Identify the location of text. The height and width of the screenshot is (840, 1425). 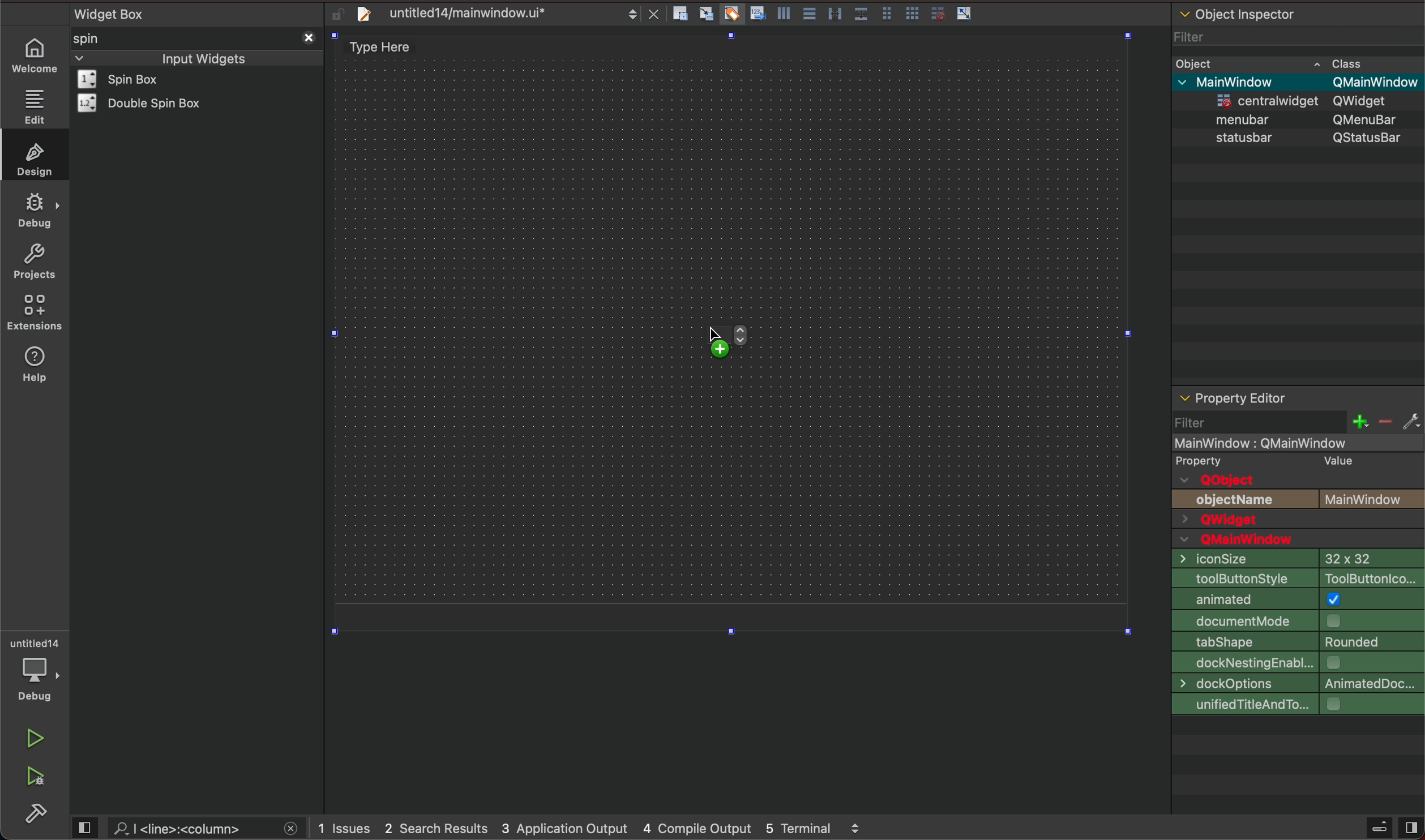
(1253, 540).